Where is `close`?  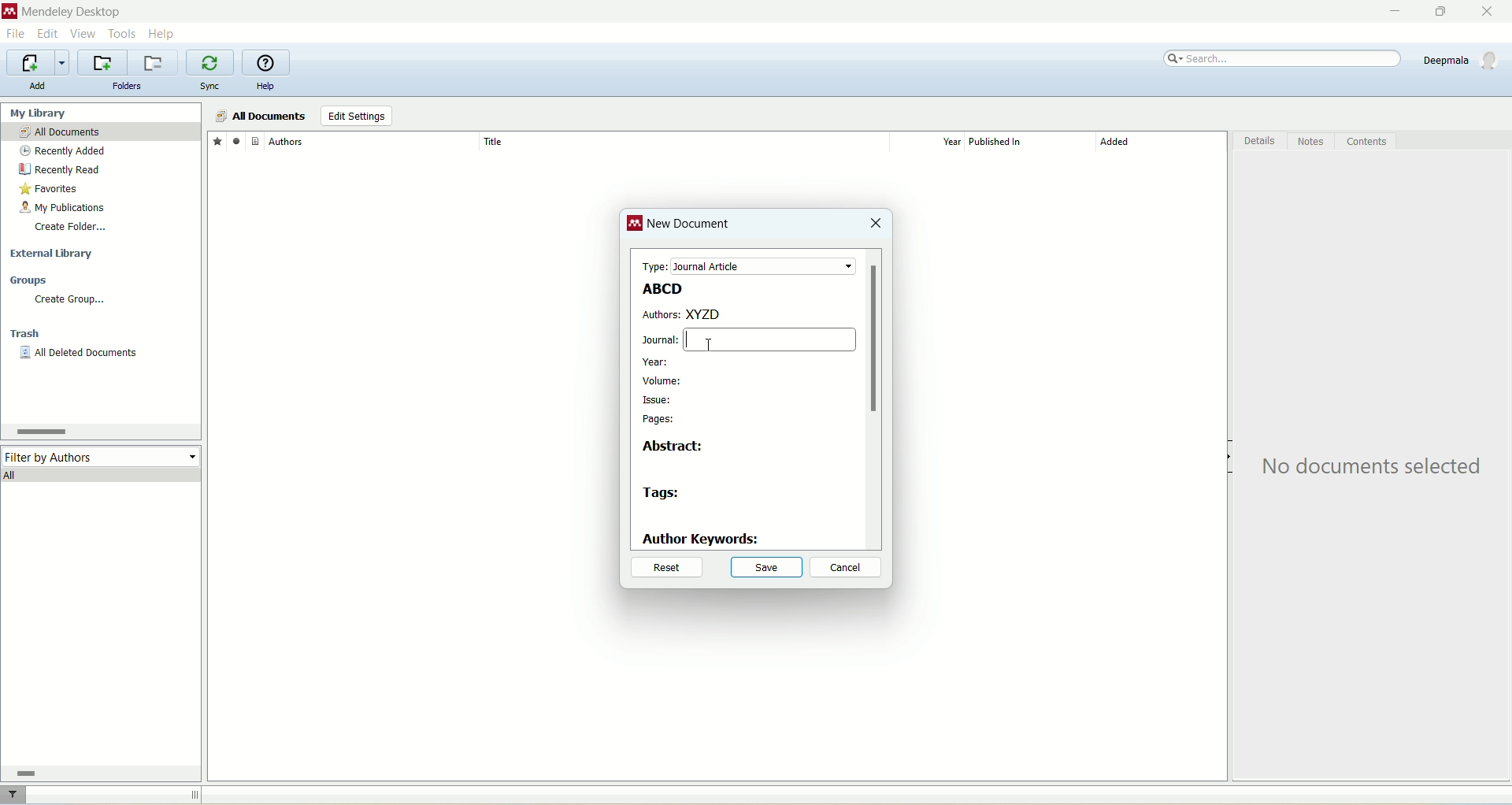 close is located at coordinates (1494, 12).